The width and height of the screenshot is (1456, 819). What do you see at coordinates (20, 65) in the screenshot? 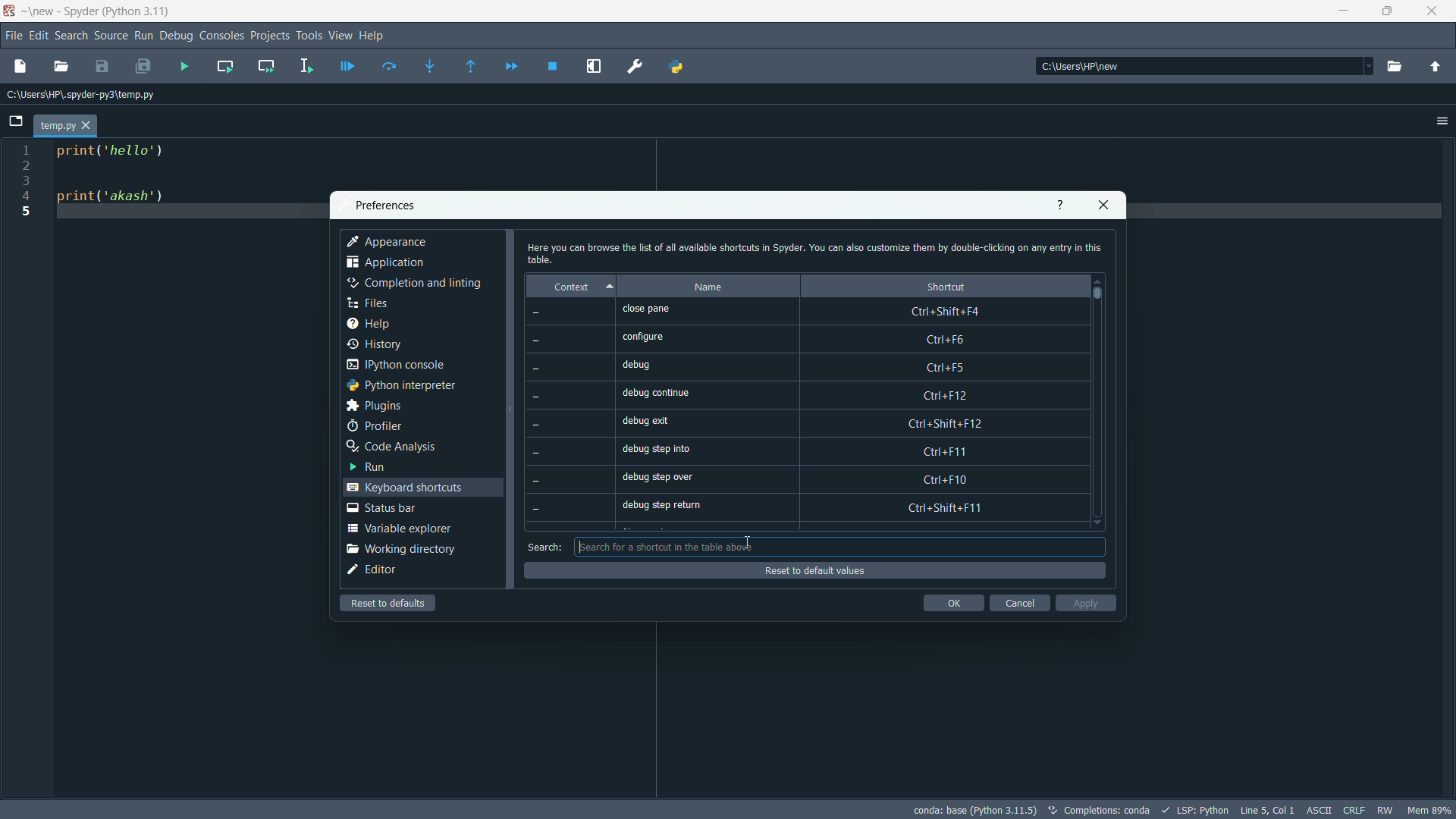
I see `new file` at bounding box center [20, 65].